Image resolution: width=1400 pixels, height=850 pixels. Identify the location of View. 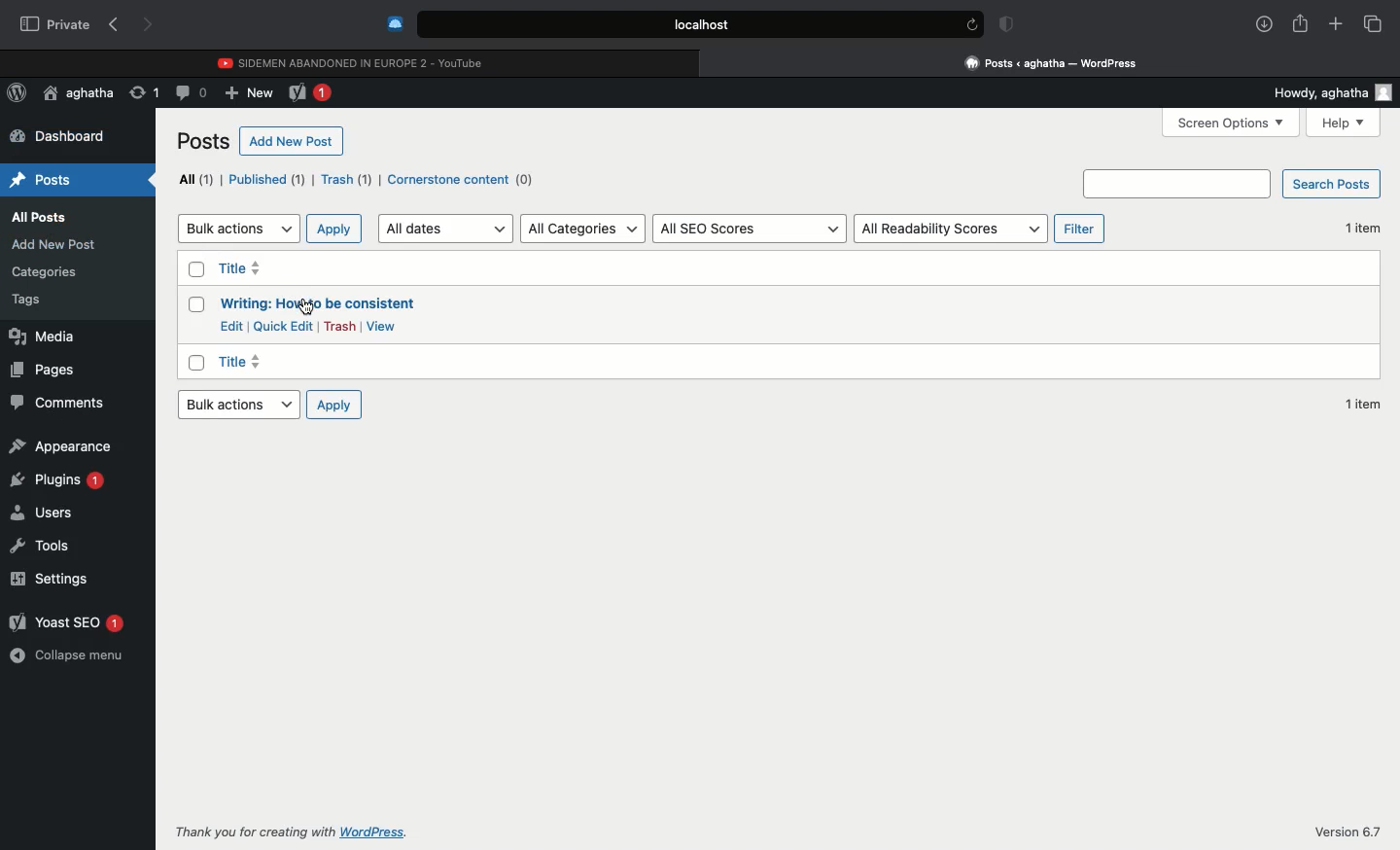
(384, 326).